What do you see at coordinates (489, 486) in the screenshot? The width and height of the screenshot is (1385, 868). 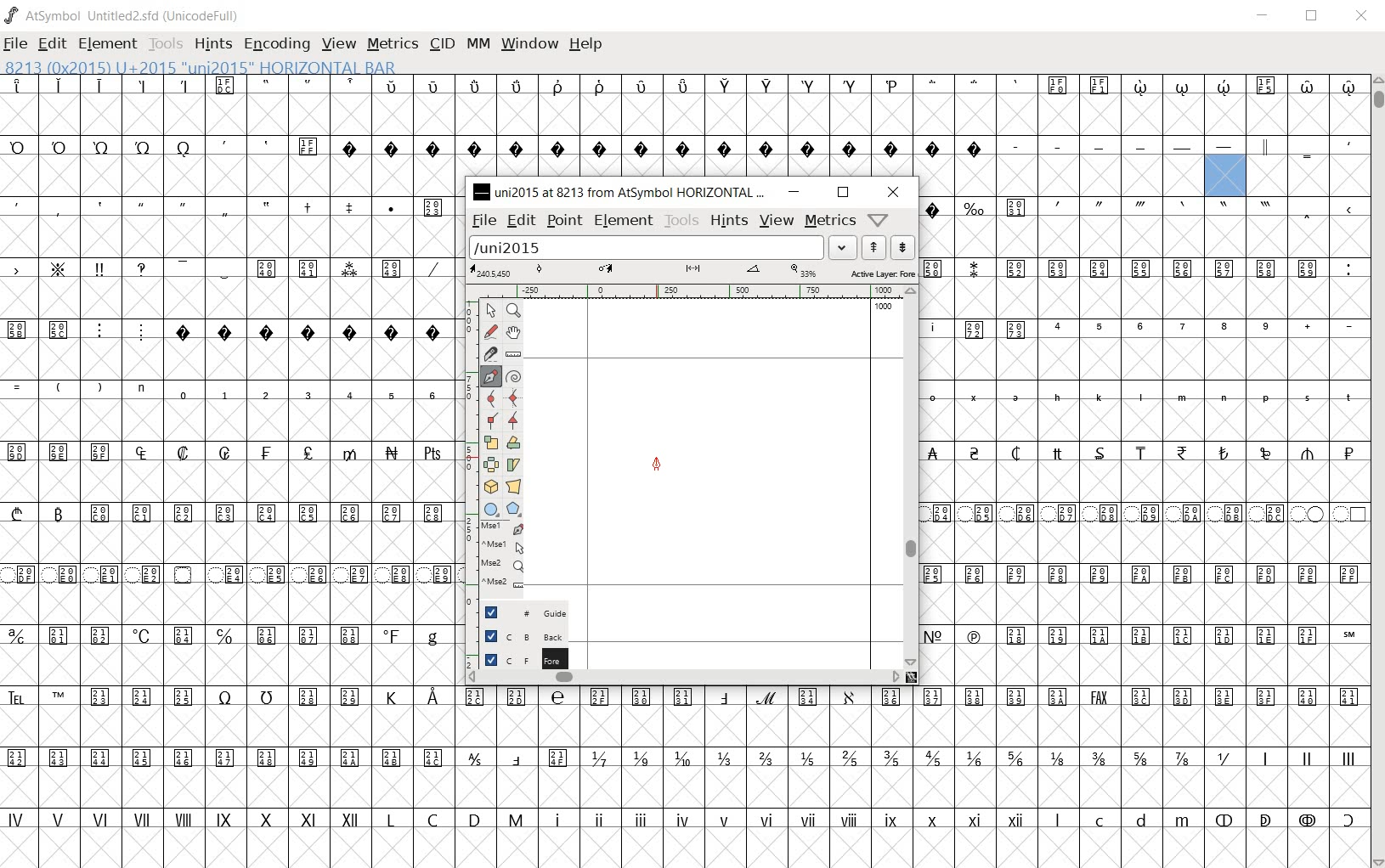 I see `rotate the selection in 3D and project back to plane` at bounding box center [489, 486].